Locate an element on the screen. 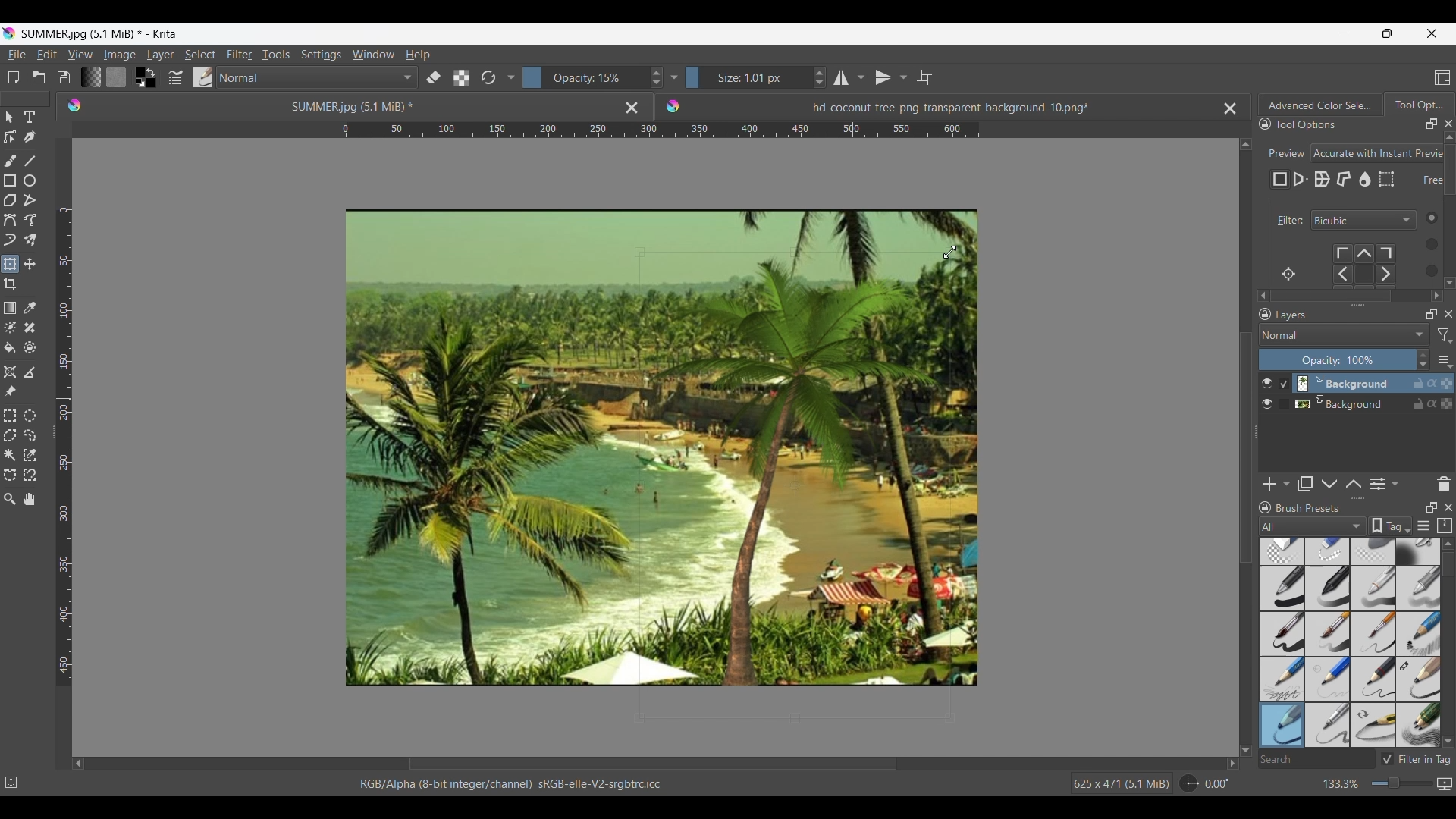 This screenshot has height=819, width=1456. Ellipse tool is located at coordinates (29, 180).